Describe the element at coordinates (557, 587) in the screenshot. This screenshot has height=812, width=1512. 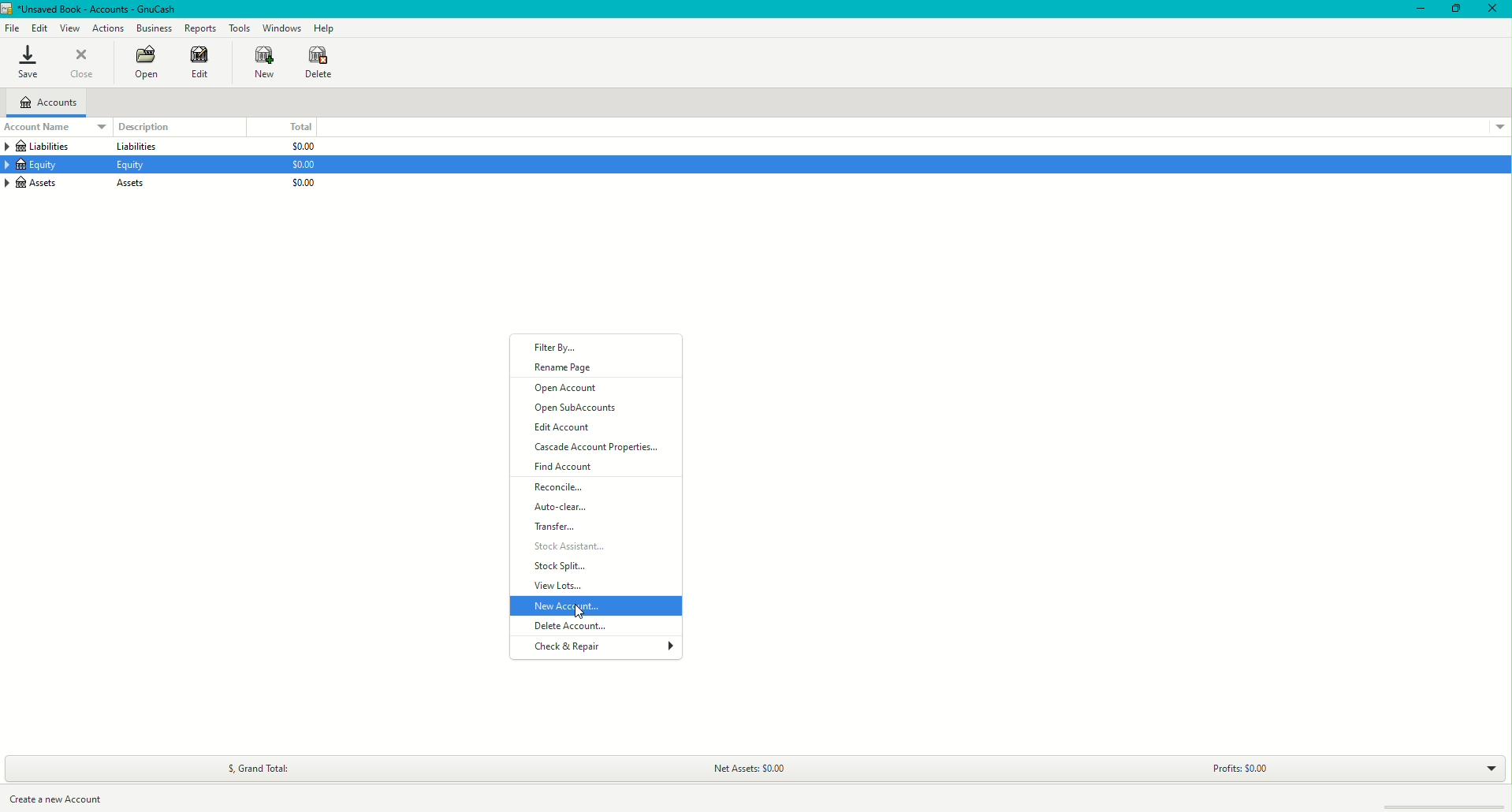
I see `View Lots` at that location.